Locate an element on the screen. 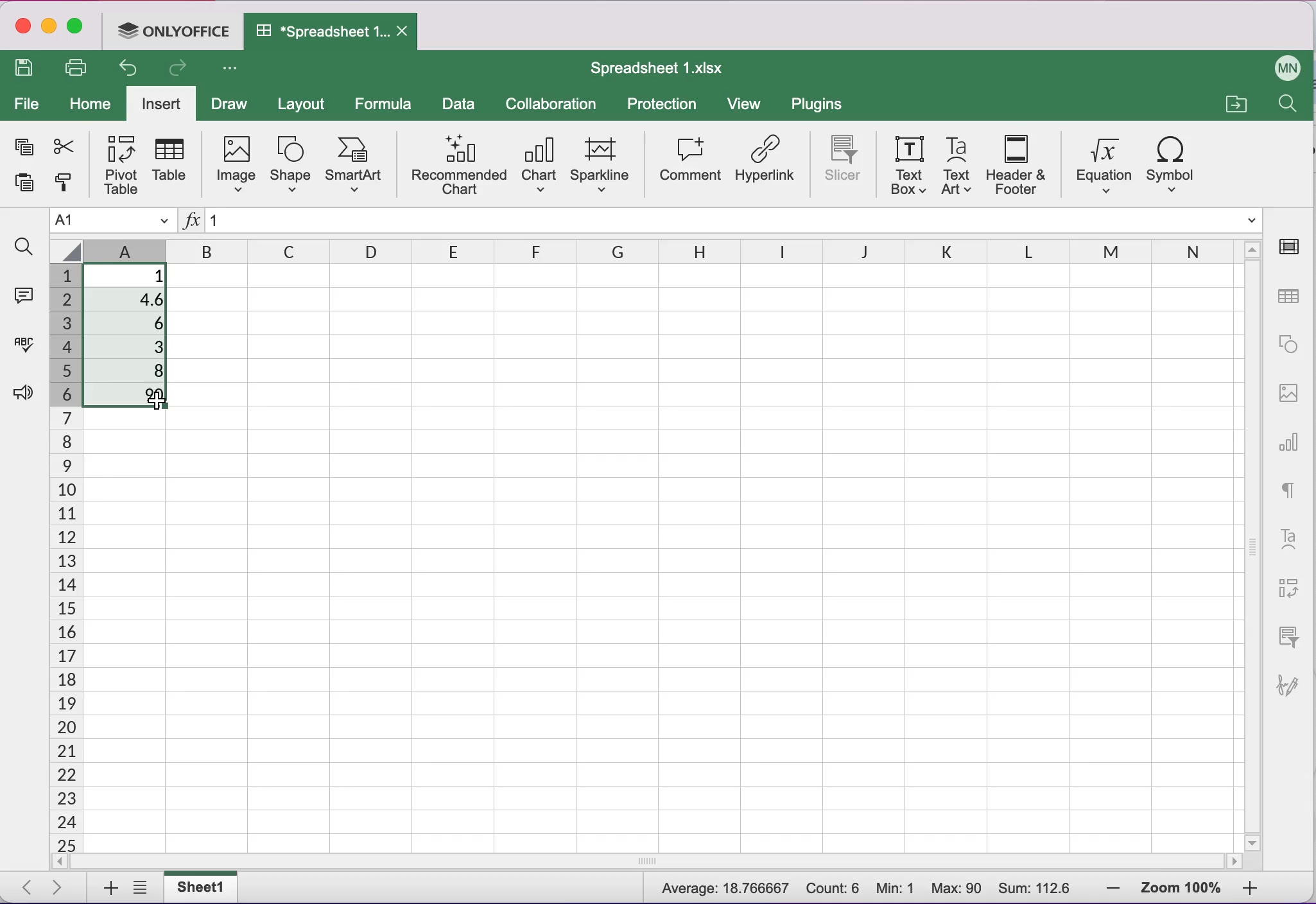 The height and width of the screenshot is (904, 1316). minimize is located at coordinates (50, 28).